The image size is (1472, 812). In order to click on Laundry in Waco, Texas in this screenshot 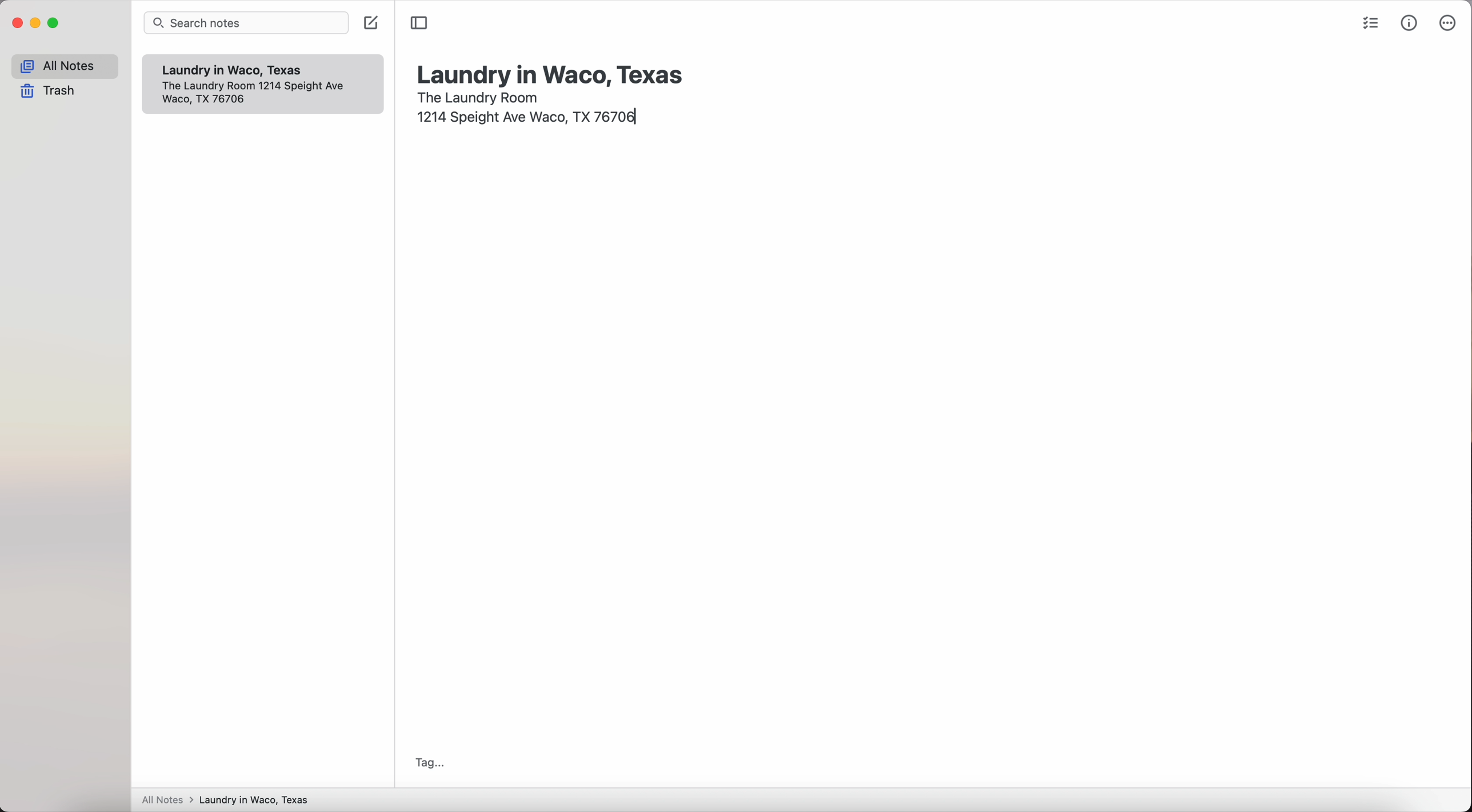, I will do `click(239, 70)`.